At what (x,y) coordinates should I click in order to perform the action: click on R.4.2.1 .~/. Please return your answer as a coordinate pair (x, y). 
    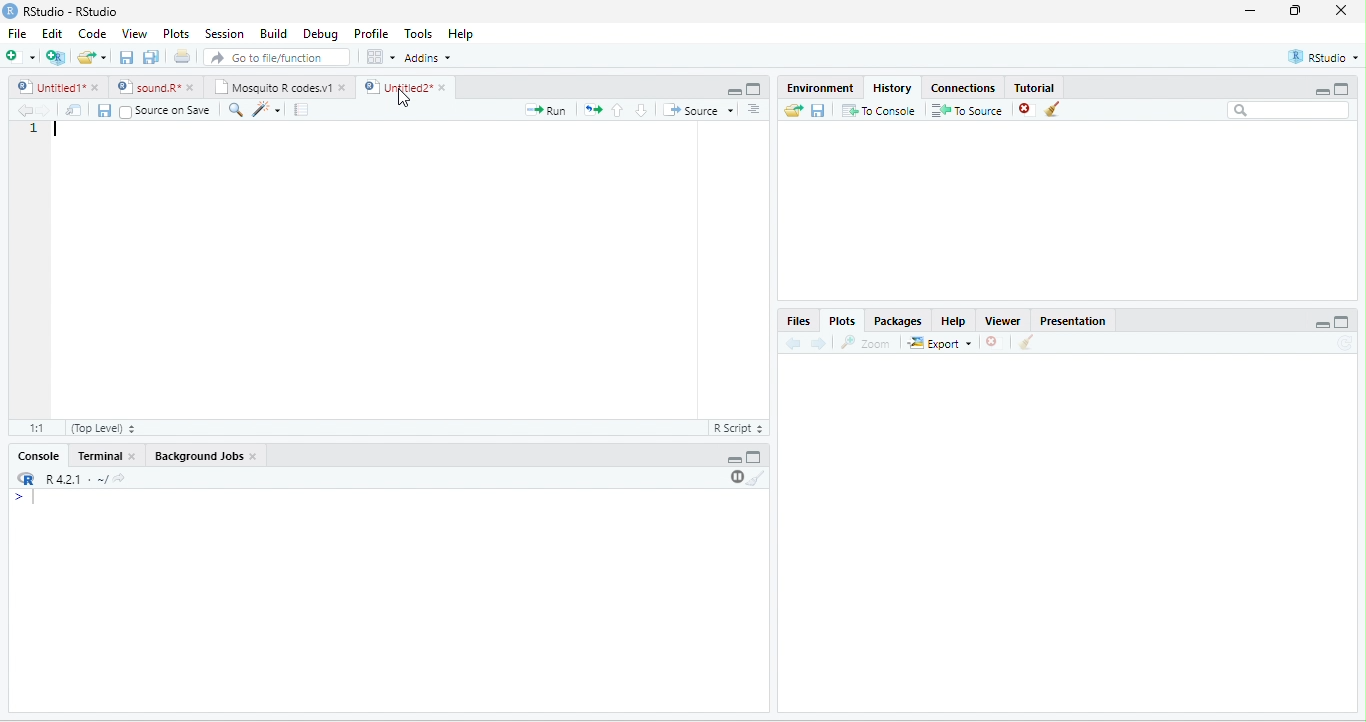
    Looking at the image, I should click on (71, 480).